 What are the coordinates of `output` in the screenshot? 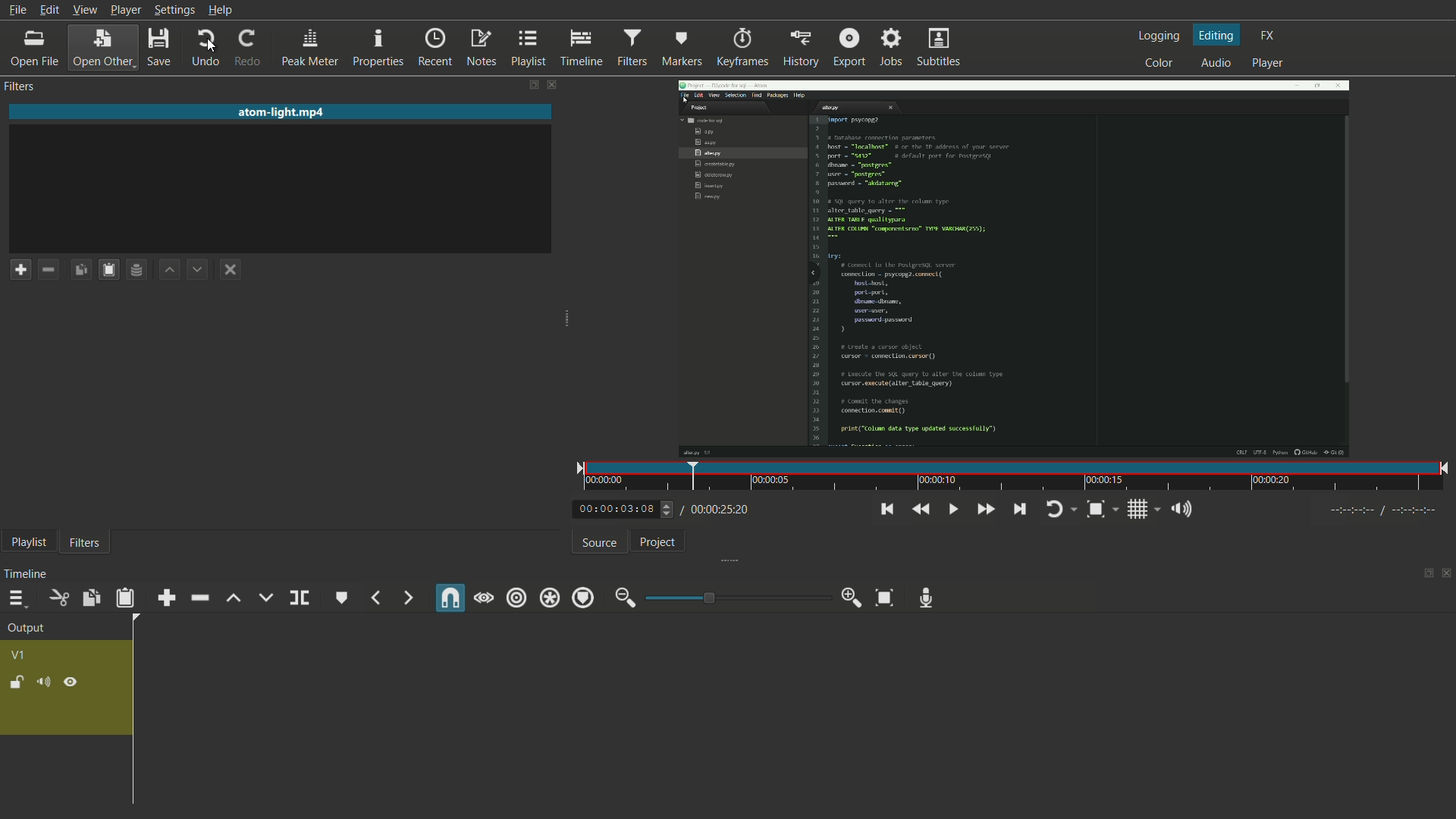 It's located at (26, 628).